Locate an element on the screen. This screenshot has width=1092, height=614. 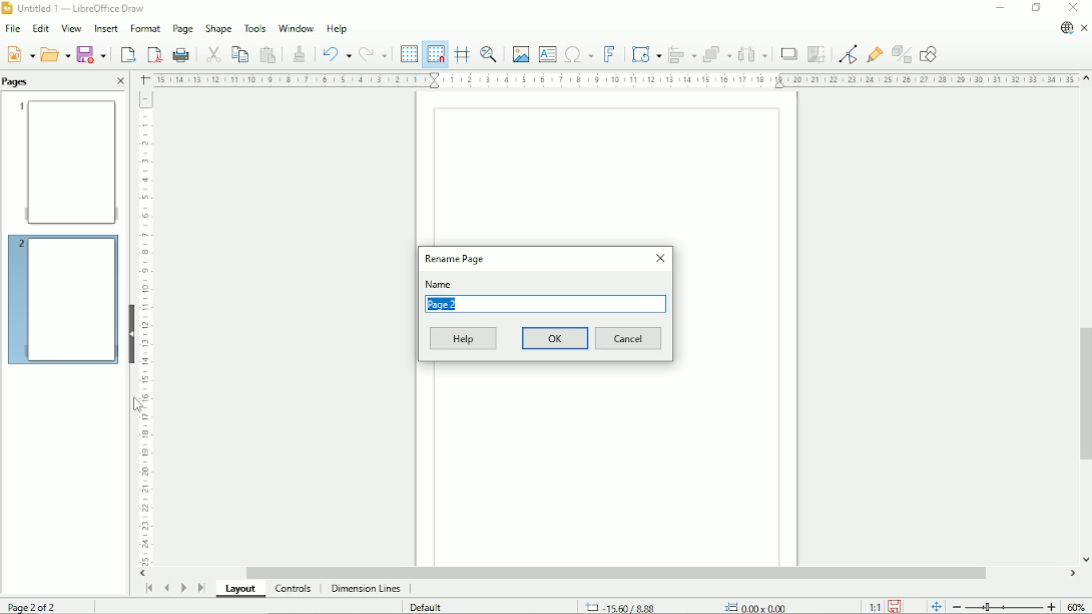
Scroll to first page is located at coordinates (148, 588).